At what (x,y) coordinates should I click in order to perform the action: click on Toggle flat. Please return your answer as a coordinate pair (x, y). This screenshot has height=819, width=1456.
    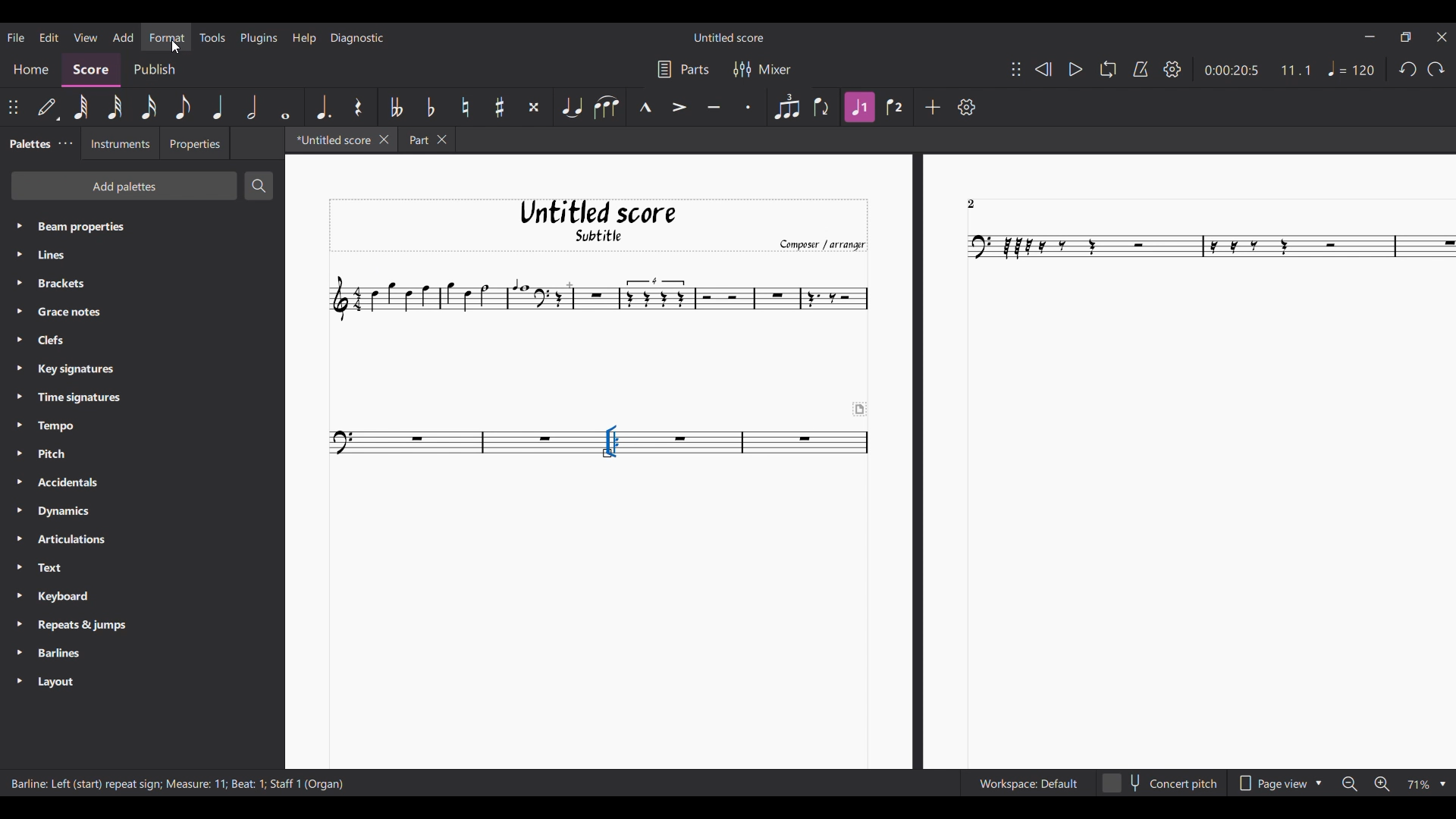
    Looking at the image, I should click on (431, 107).